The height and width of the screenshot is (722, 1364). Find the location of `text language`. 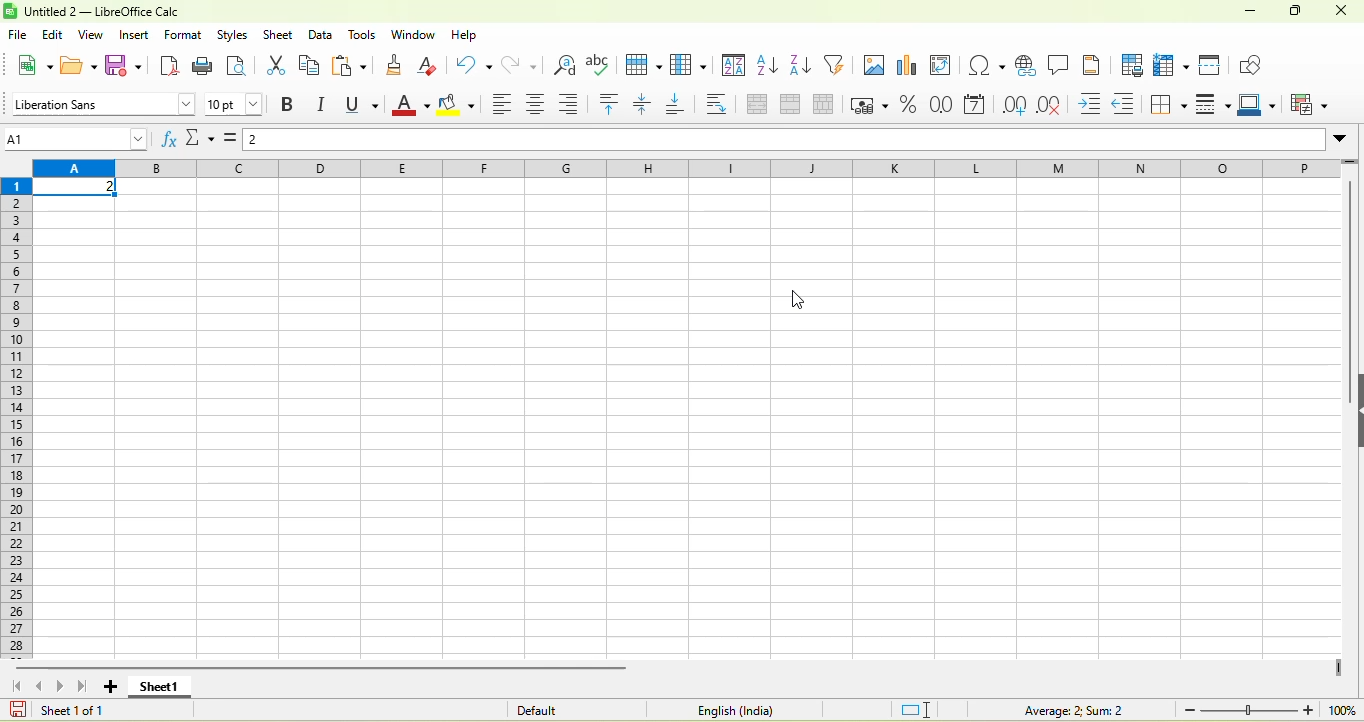

text language is located at coordinates (731, 709).